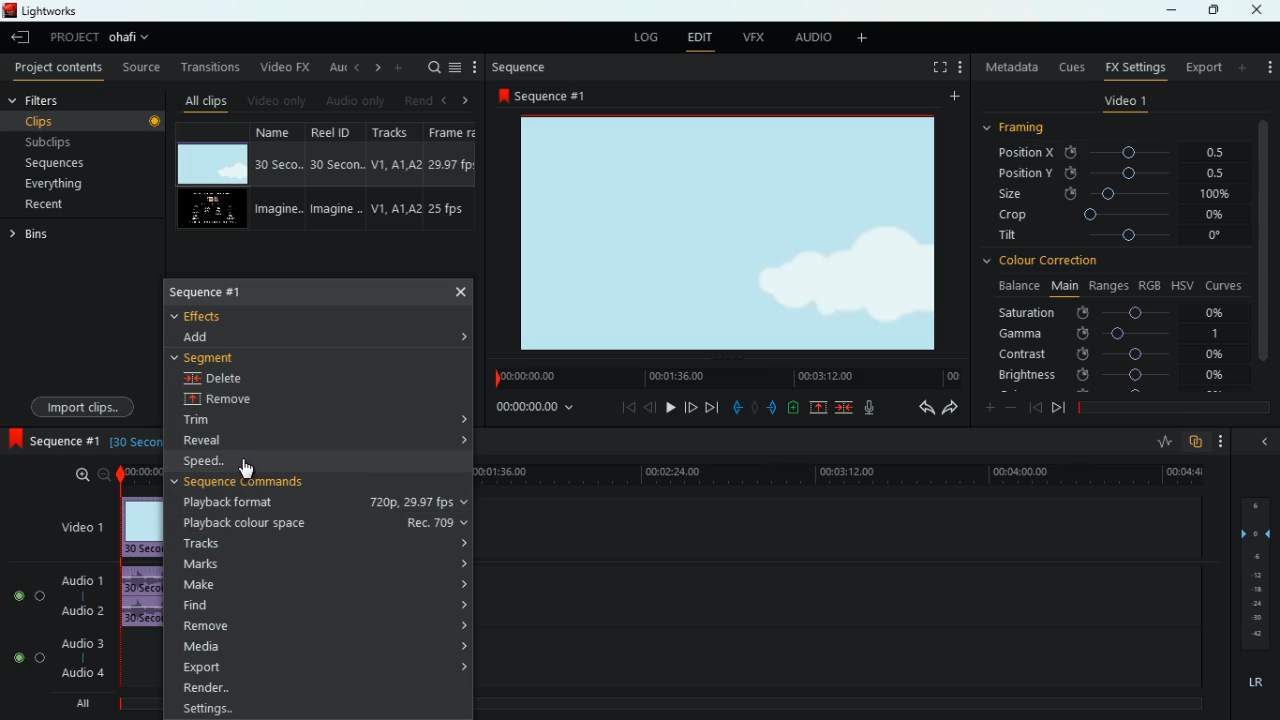  Describe the element at coordinates (1171, 12) in the screenshot. I see `minimize` at that location.